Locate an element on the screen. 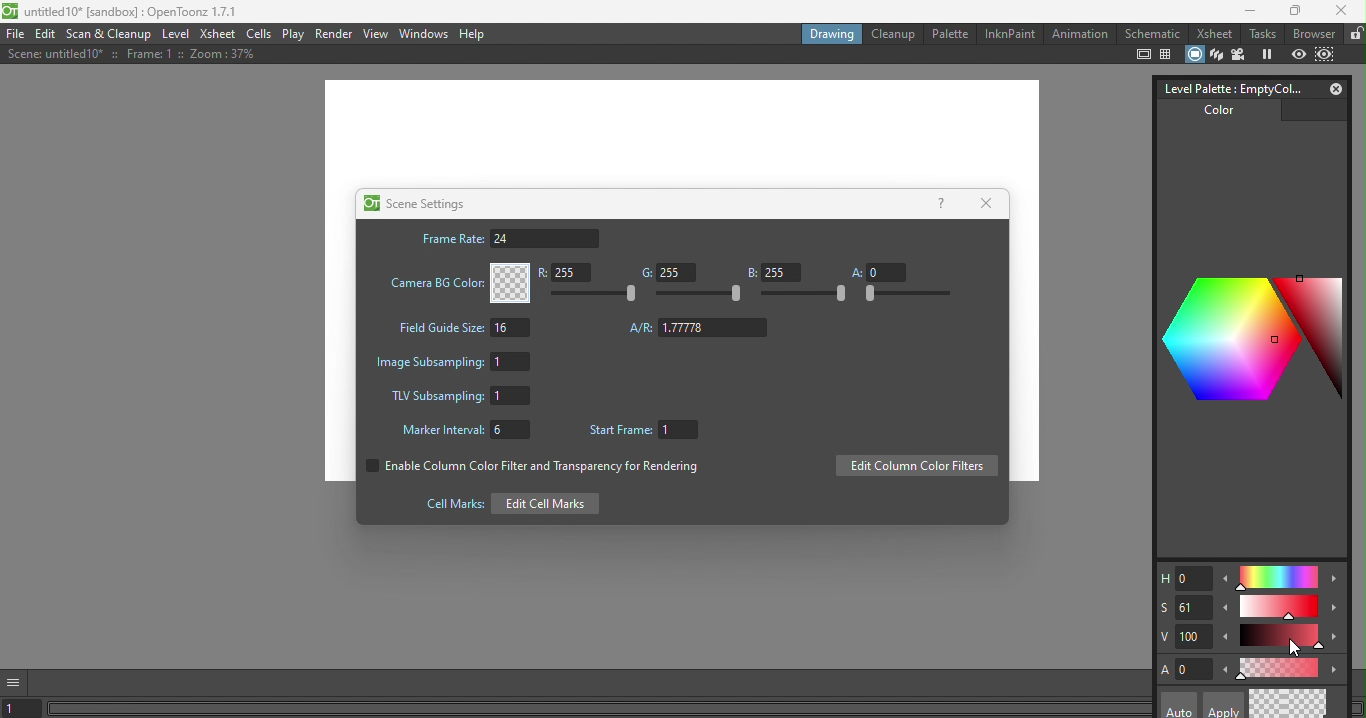 The height and width of the screenshot is (718, 1366). Camera view is located at coordinates (1241, 54).